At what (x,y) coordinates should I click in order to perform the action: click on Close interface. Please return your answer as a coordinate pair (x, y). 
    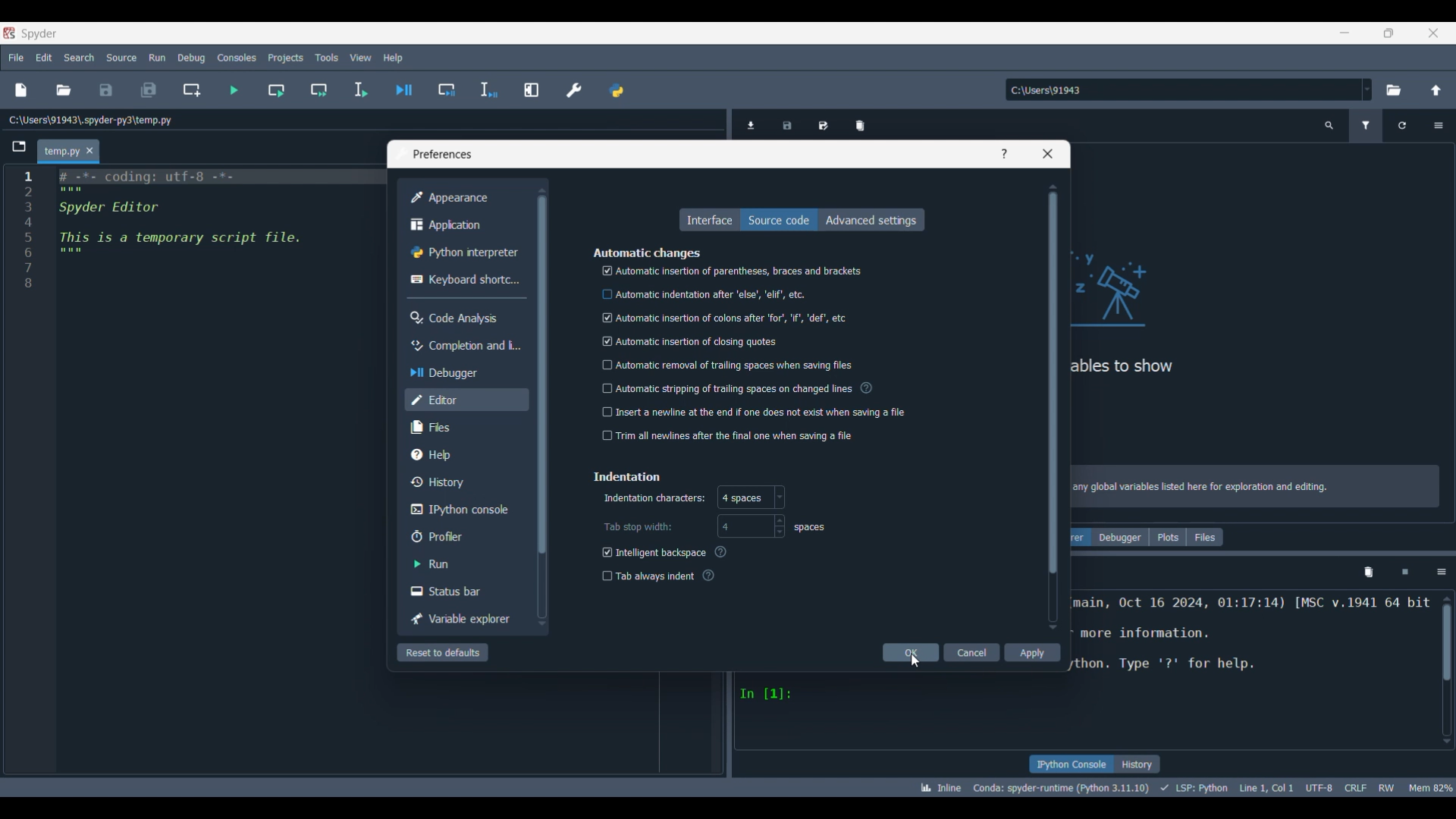
    Looking at the image, I should click on (1433, 33).